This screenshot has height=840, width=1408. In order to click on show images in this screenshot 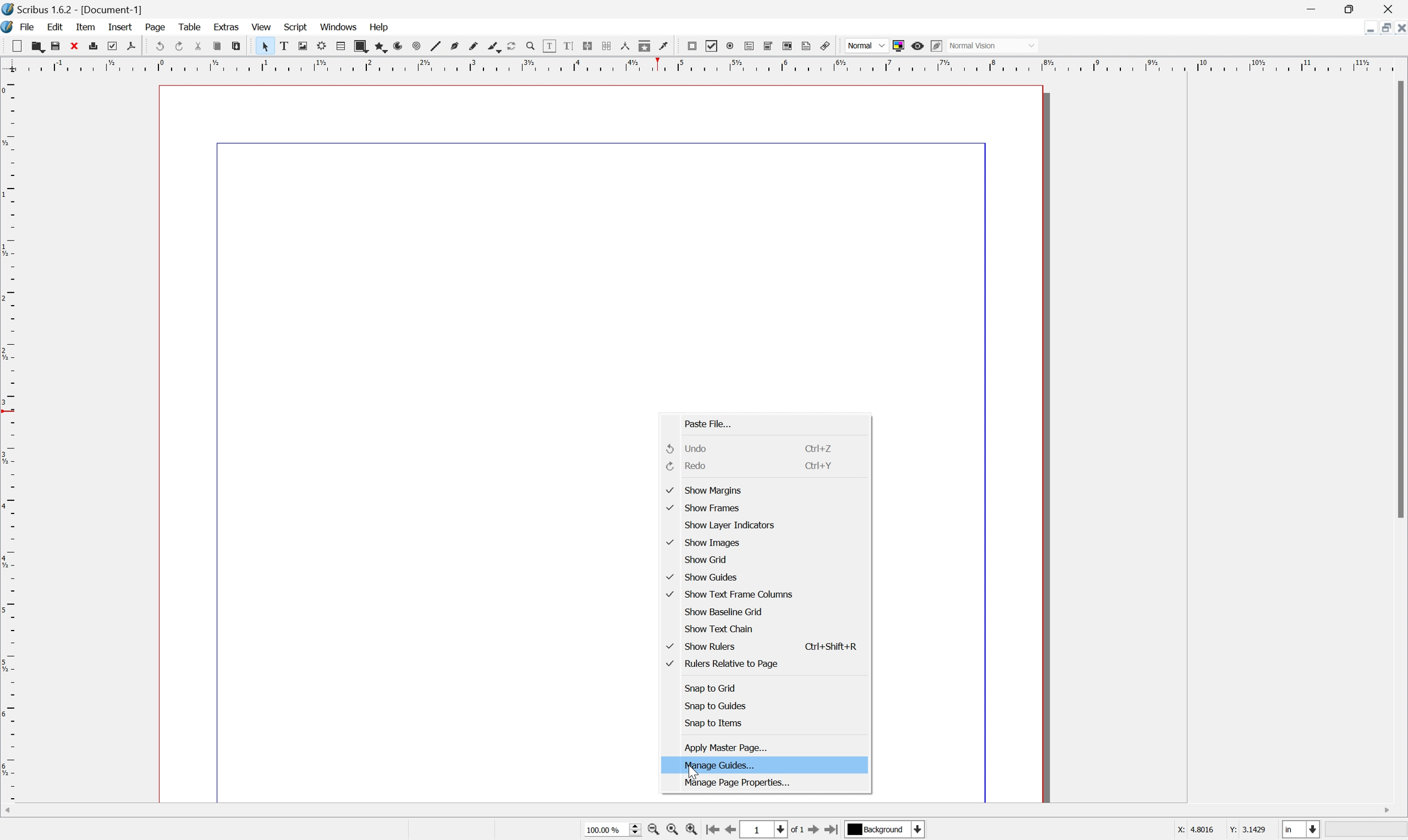, I will do `click(707, 542)`.